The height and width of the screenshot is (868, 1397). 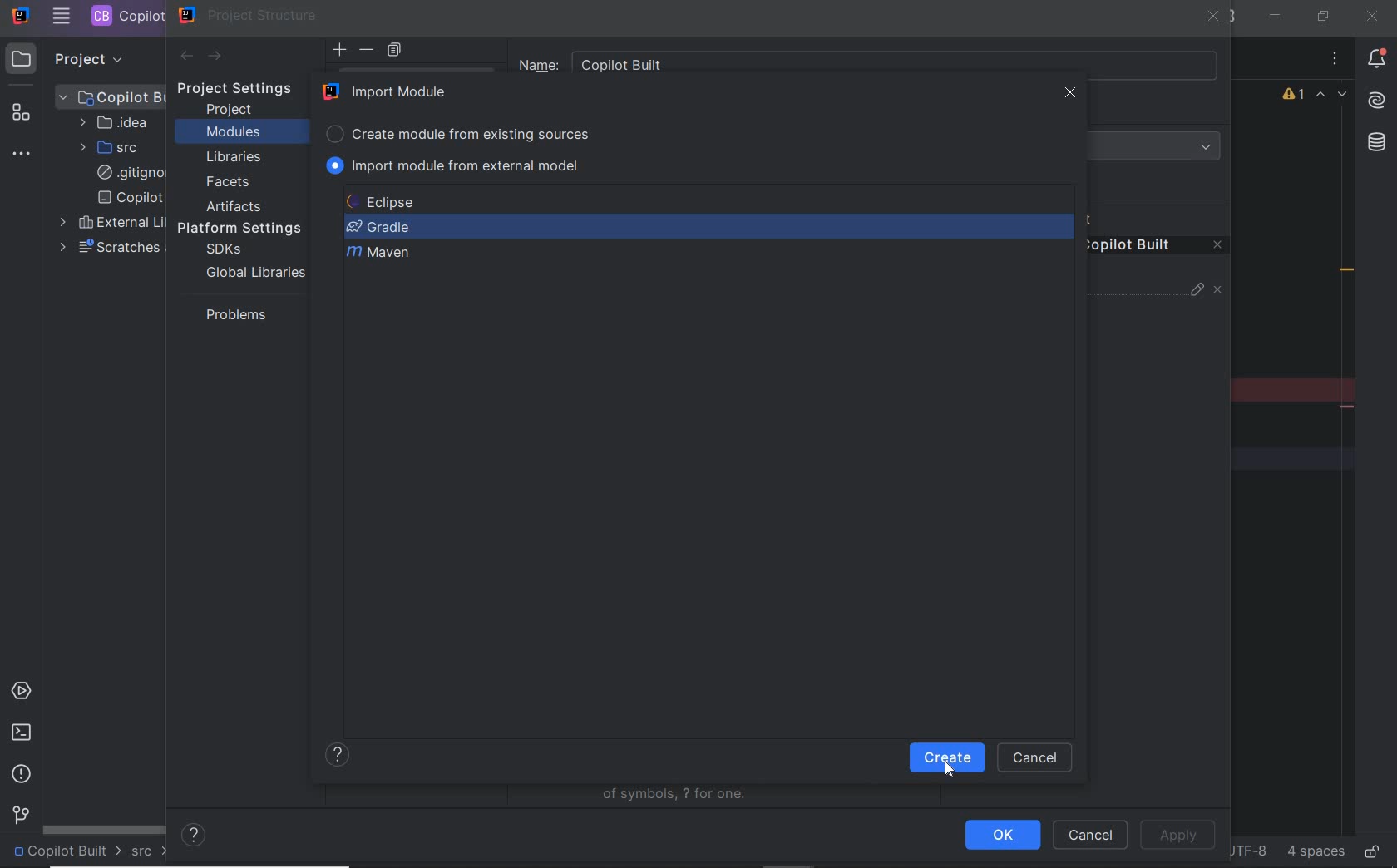 What do you see at coordinates (230, 110) in the screenshot?
I see `project` at bounding box center [230, 110].